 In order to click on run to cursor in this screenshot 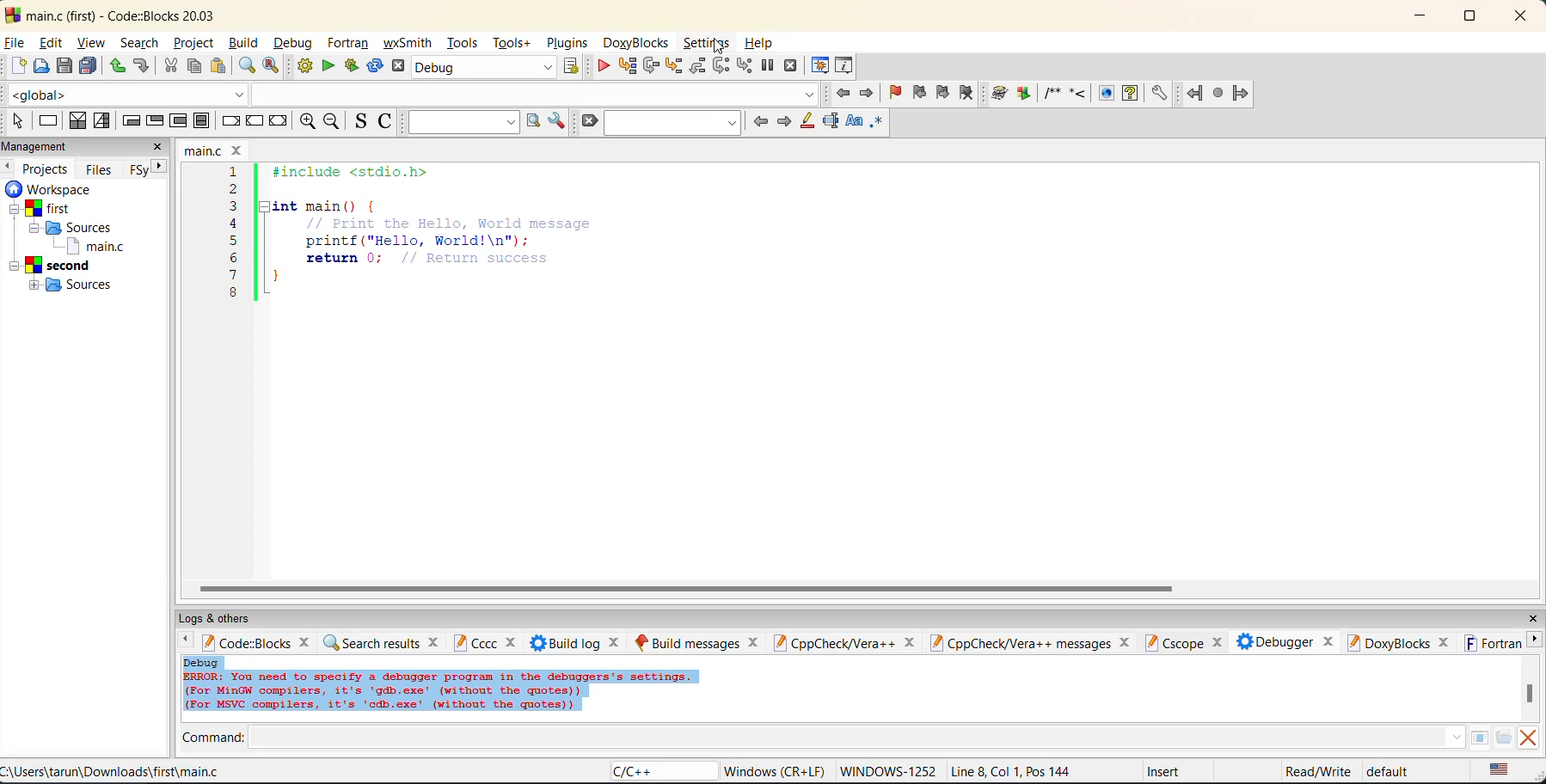, I will do `click(626, 66)`.